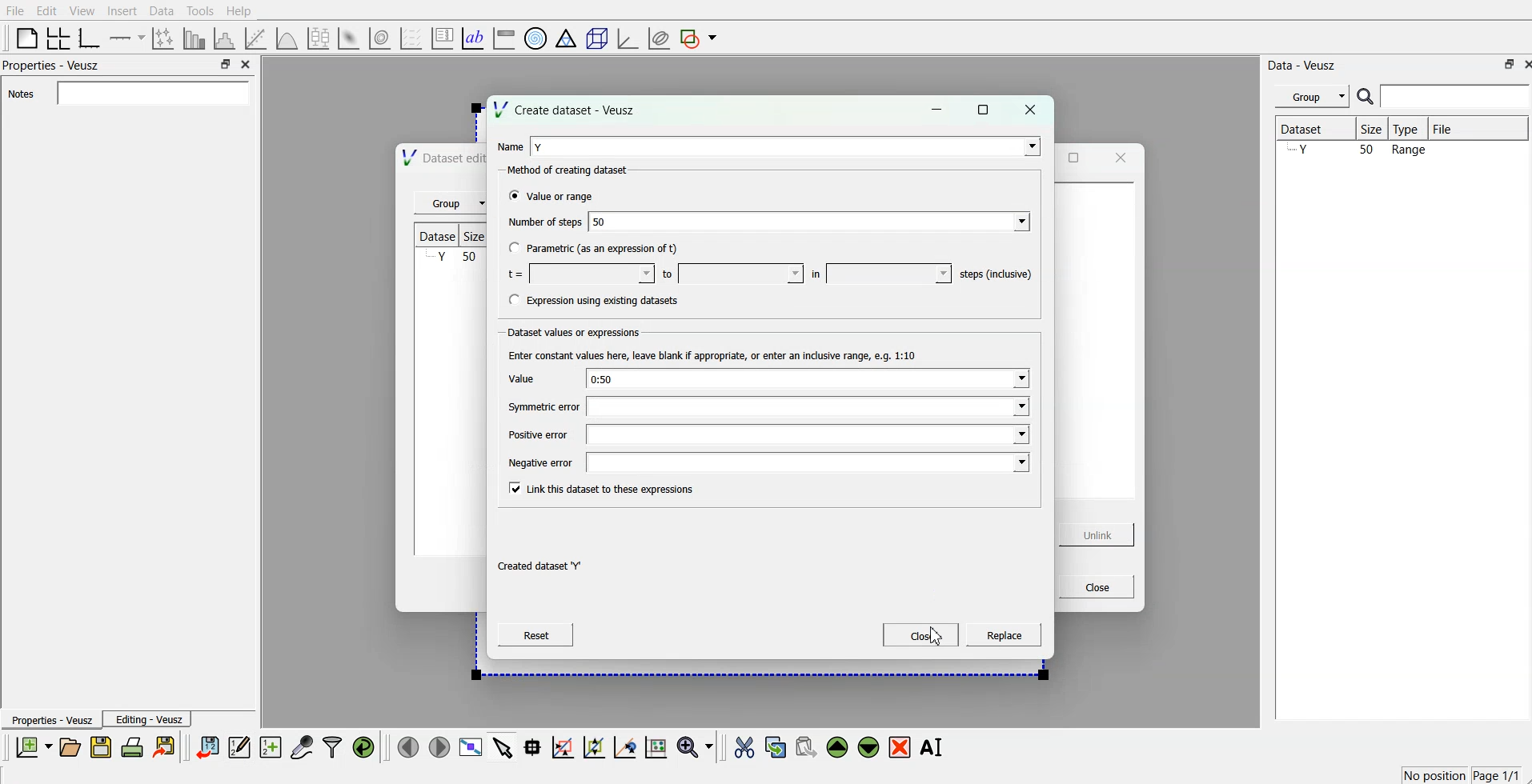 The image size is (1532, 784). What do you see at coordinates (439, 746) in the screenshot?
I see `move to next page` at bounding box center [439, 746].